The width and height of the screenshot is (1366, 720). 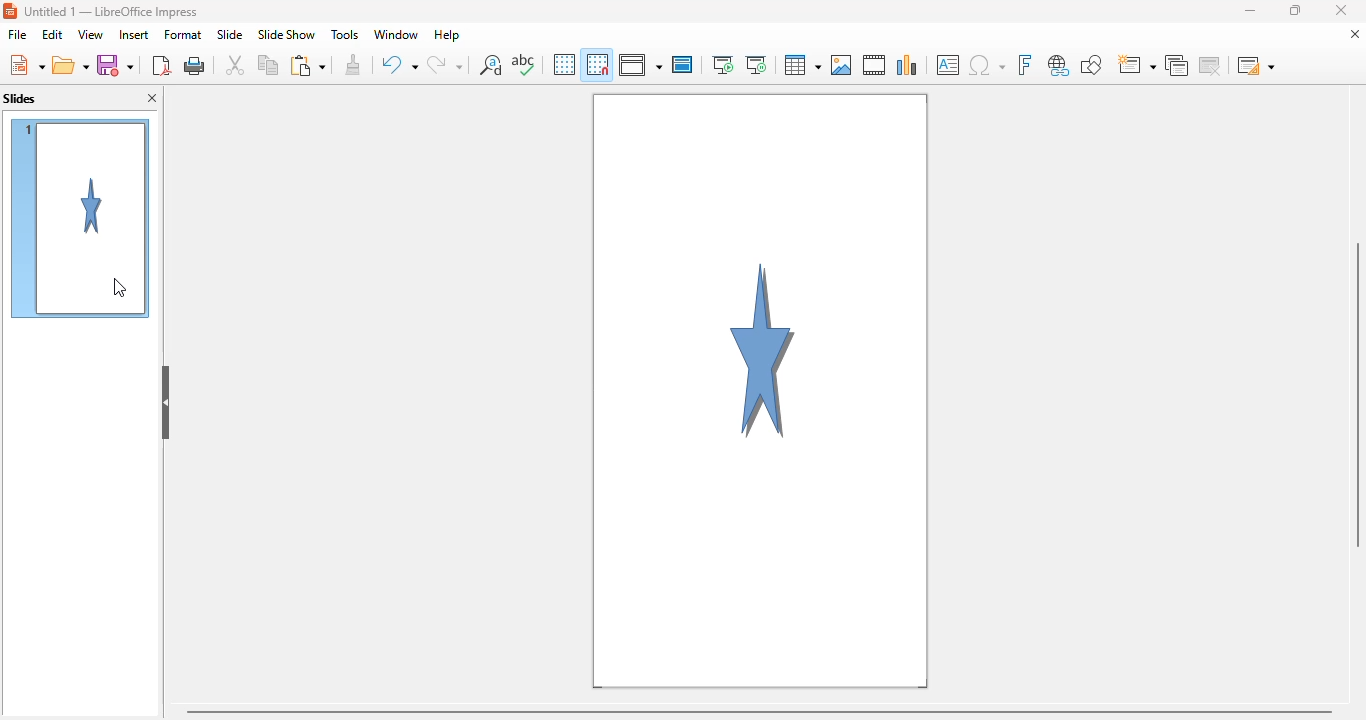 What do you see at coordinates (842, 65) in the screenshot?
I see `insert image` at bounding box center [842, 65].